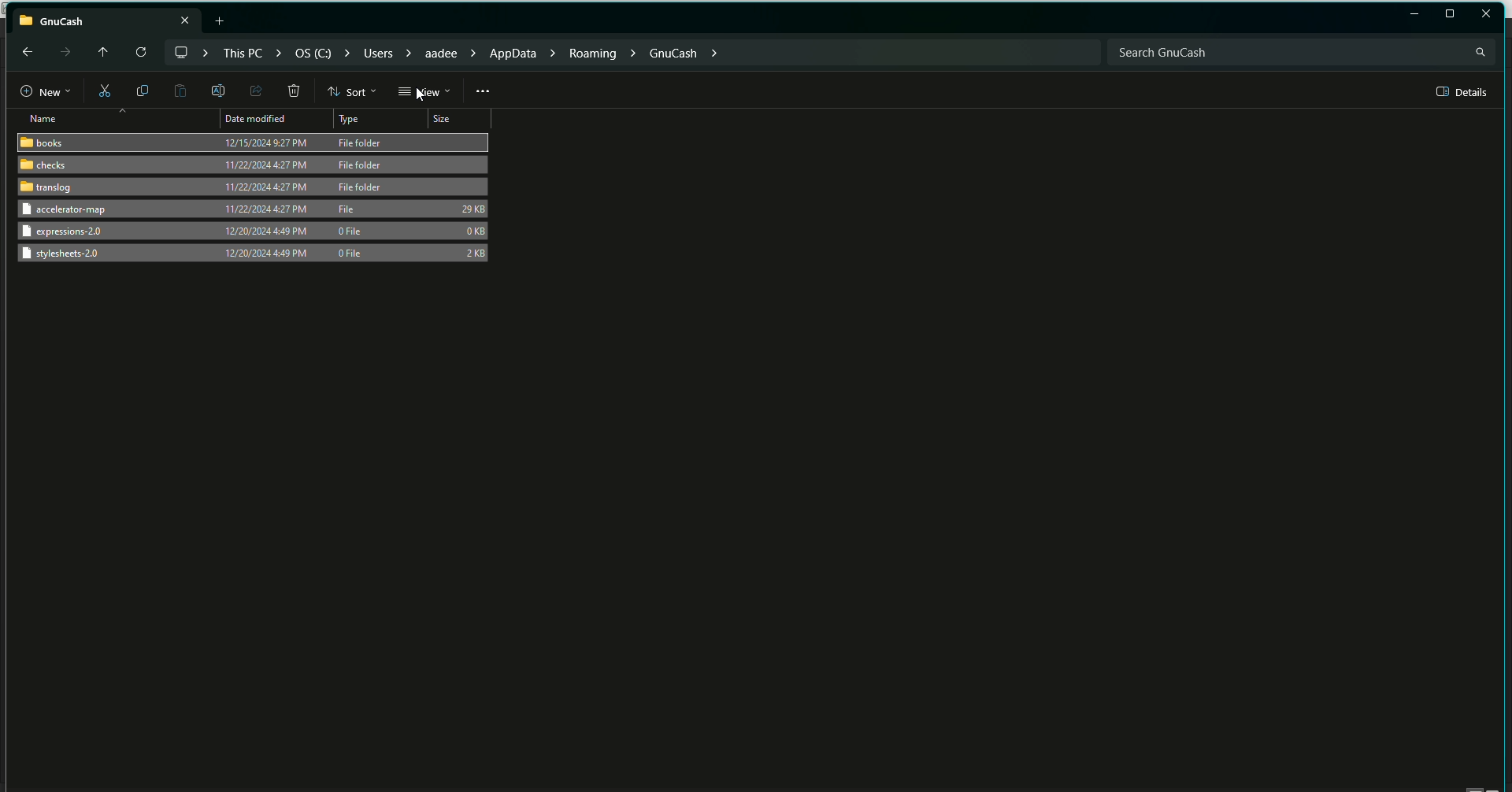 The image size is (1512, 792). What do you see at coordinates (424, 94) in the screenshot?
I see `Cursor` at bounding box center [424, 94].